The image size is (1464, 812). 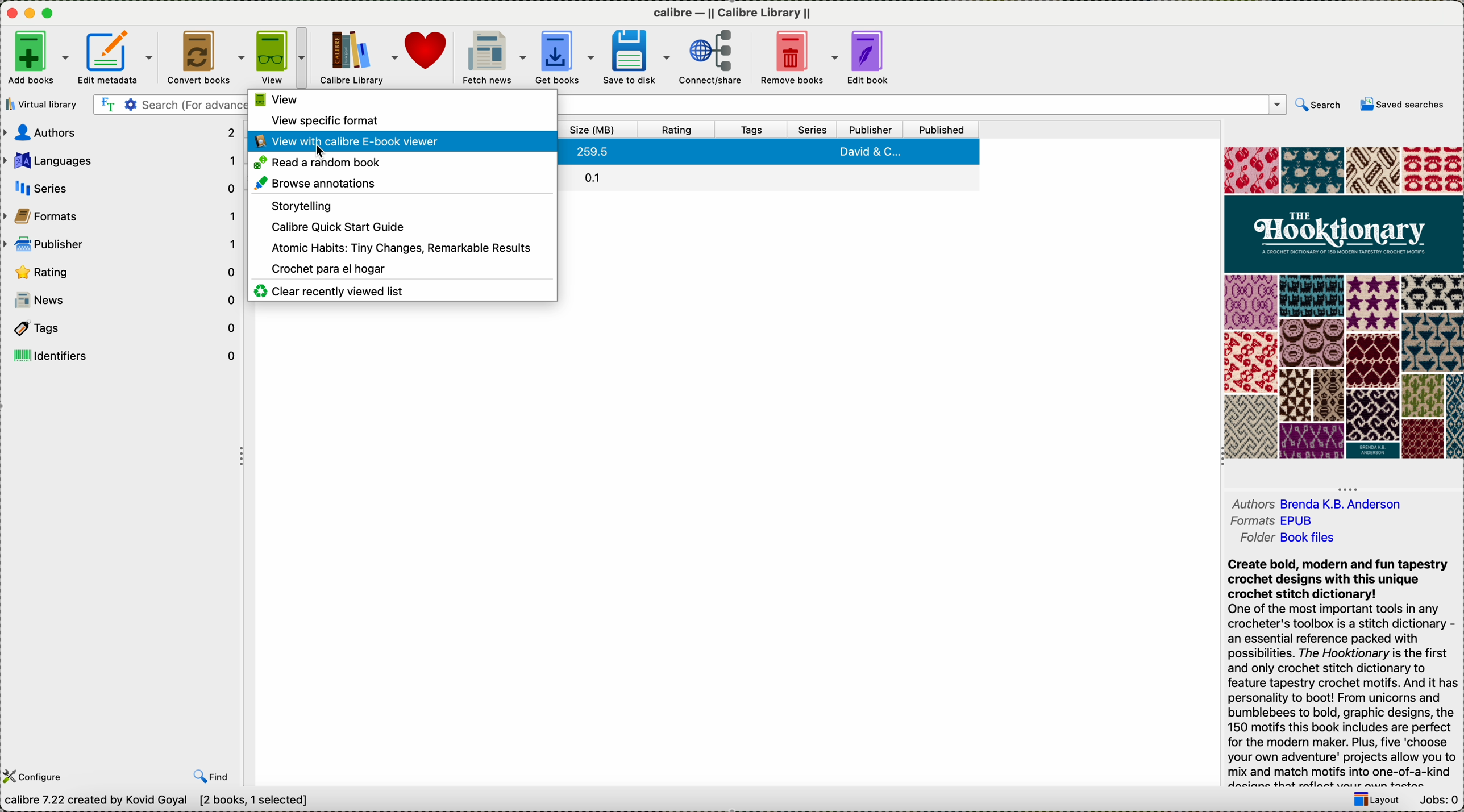 What do you see at coordinates (813, 130) in the screenshot?
I see `series` at bounding box center [813, 130].